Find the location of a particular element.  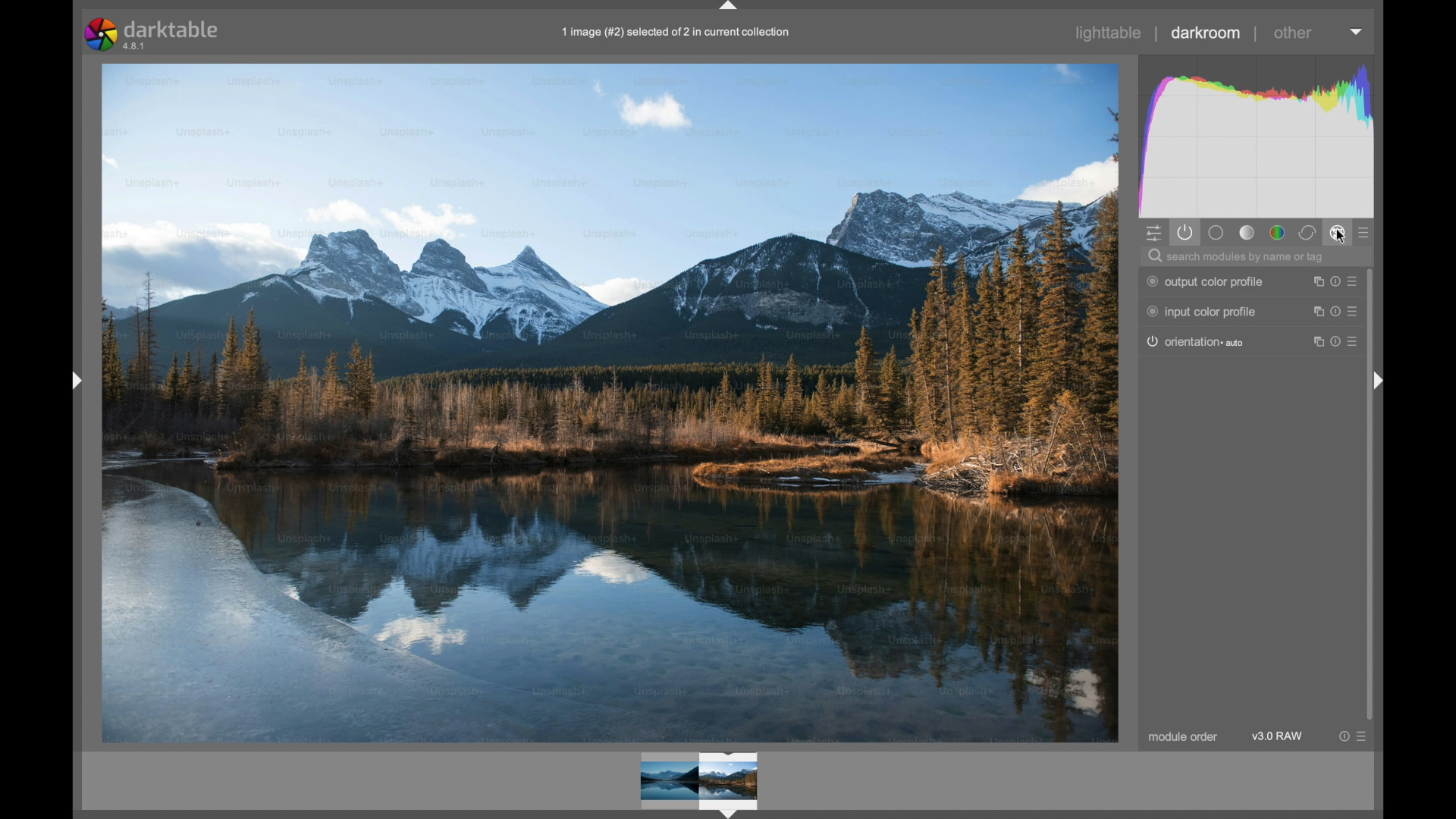

reset parameters is located at coordinates (1335, 281).